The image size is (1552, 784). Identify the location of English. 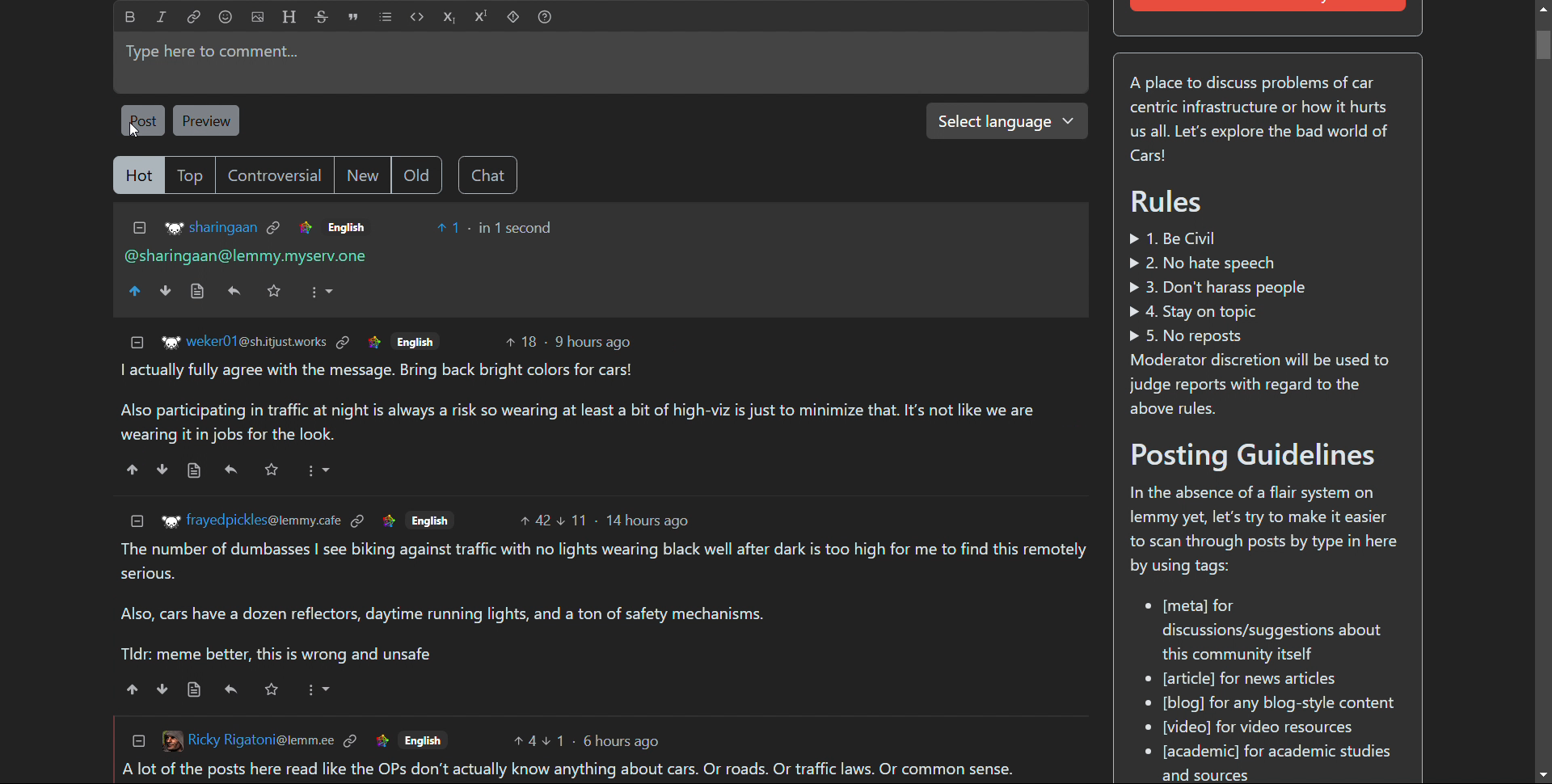
(389, 521).